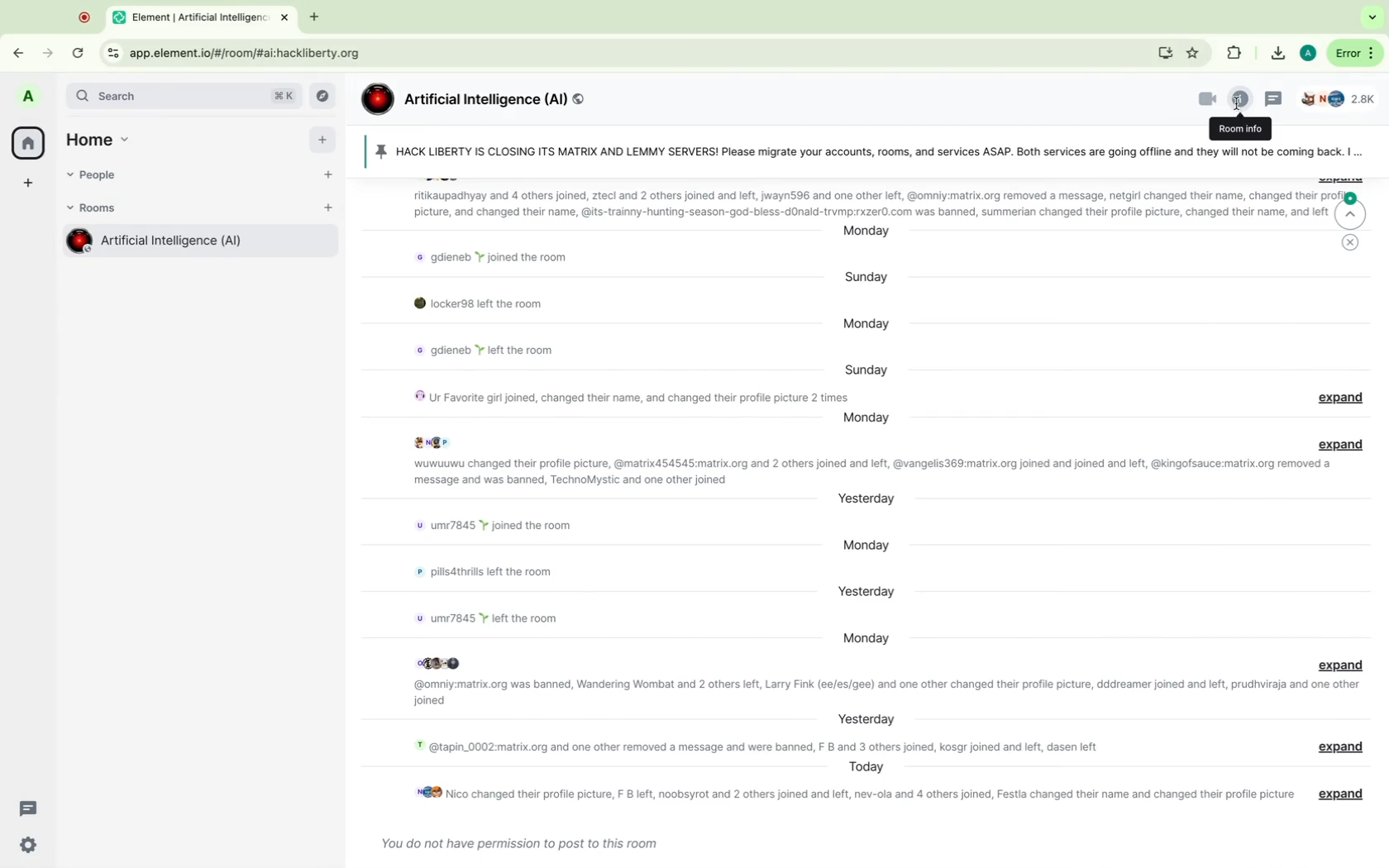 The height and width of the screenshot is (868, 1389). What do you see at coordinates (866, 499) in the screenshot?
I see `day` at bounding box center [866, 499].